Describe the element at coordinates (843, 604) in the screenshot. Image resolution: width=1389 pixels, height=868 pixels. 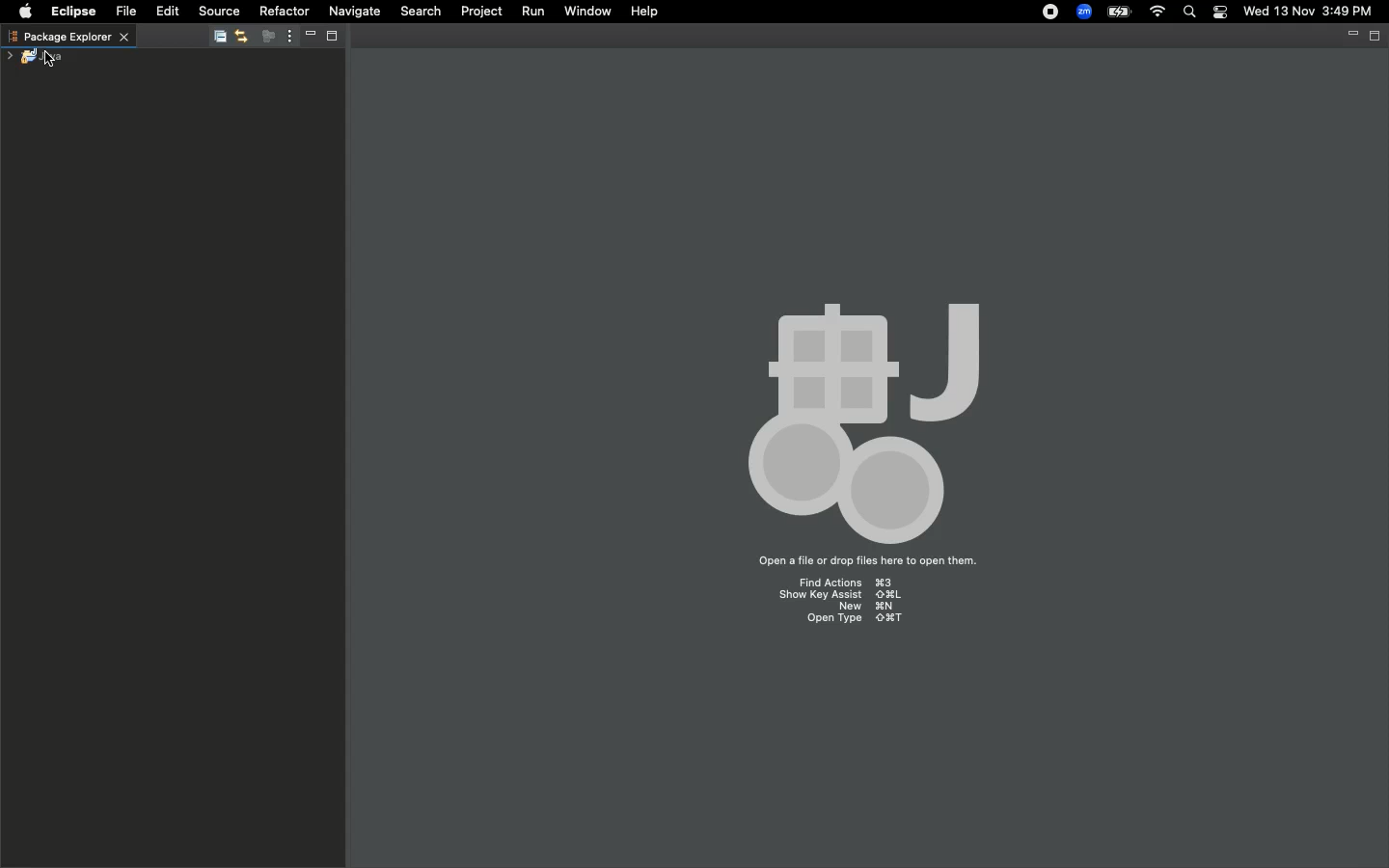
I see `Find action ⌘3 Show Key assist ⇧⌘L New ⌘N Open Type ⇧⌘T` at that location.